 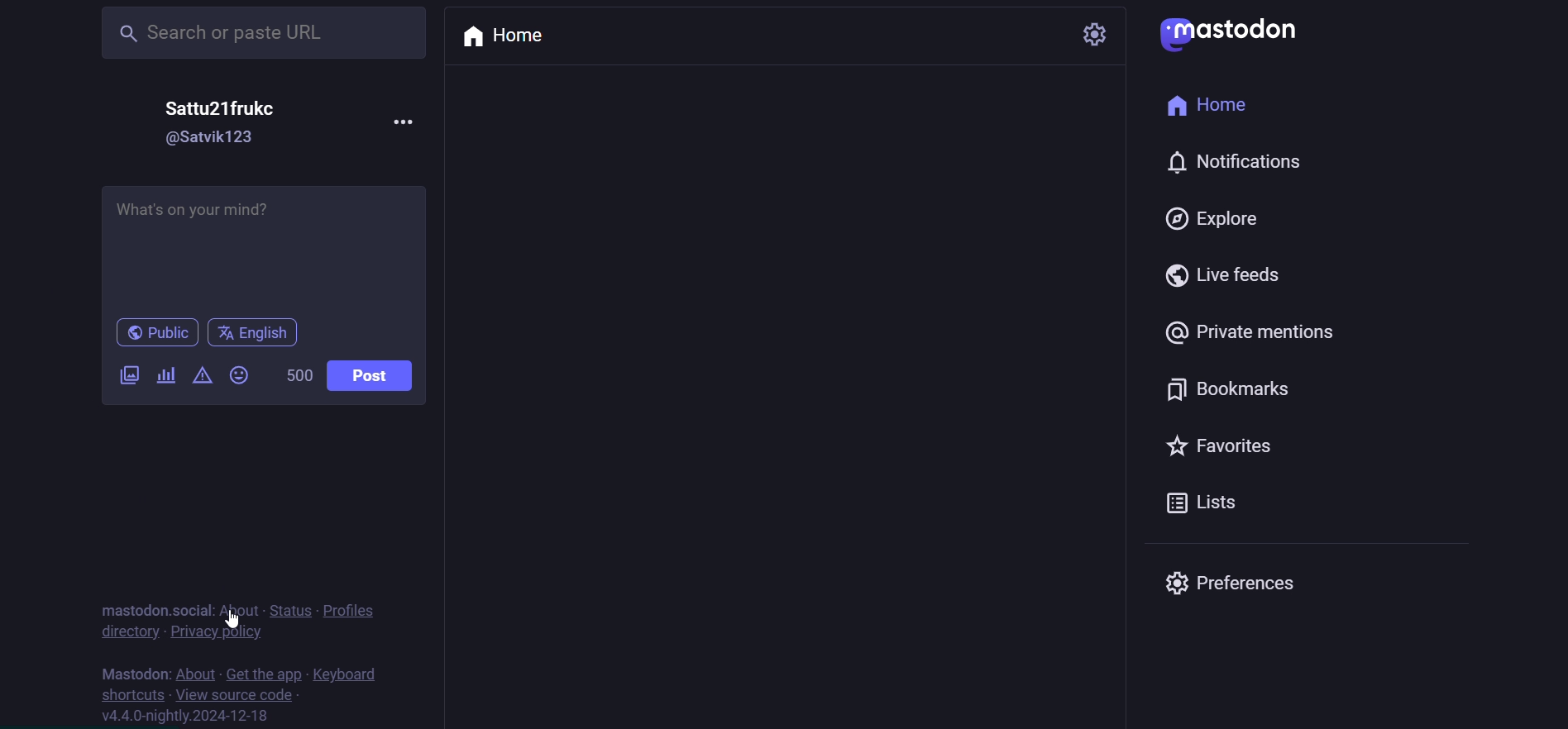 I want to click on post, so click(x=377, y=375).